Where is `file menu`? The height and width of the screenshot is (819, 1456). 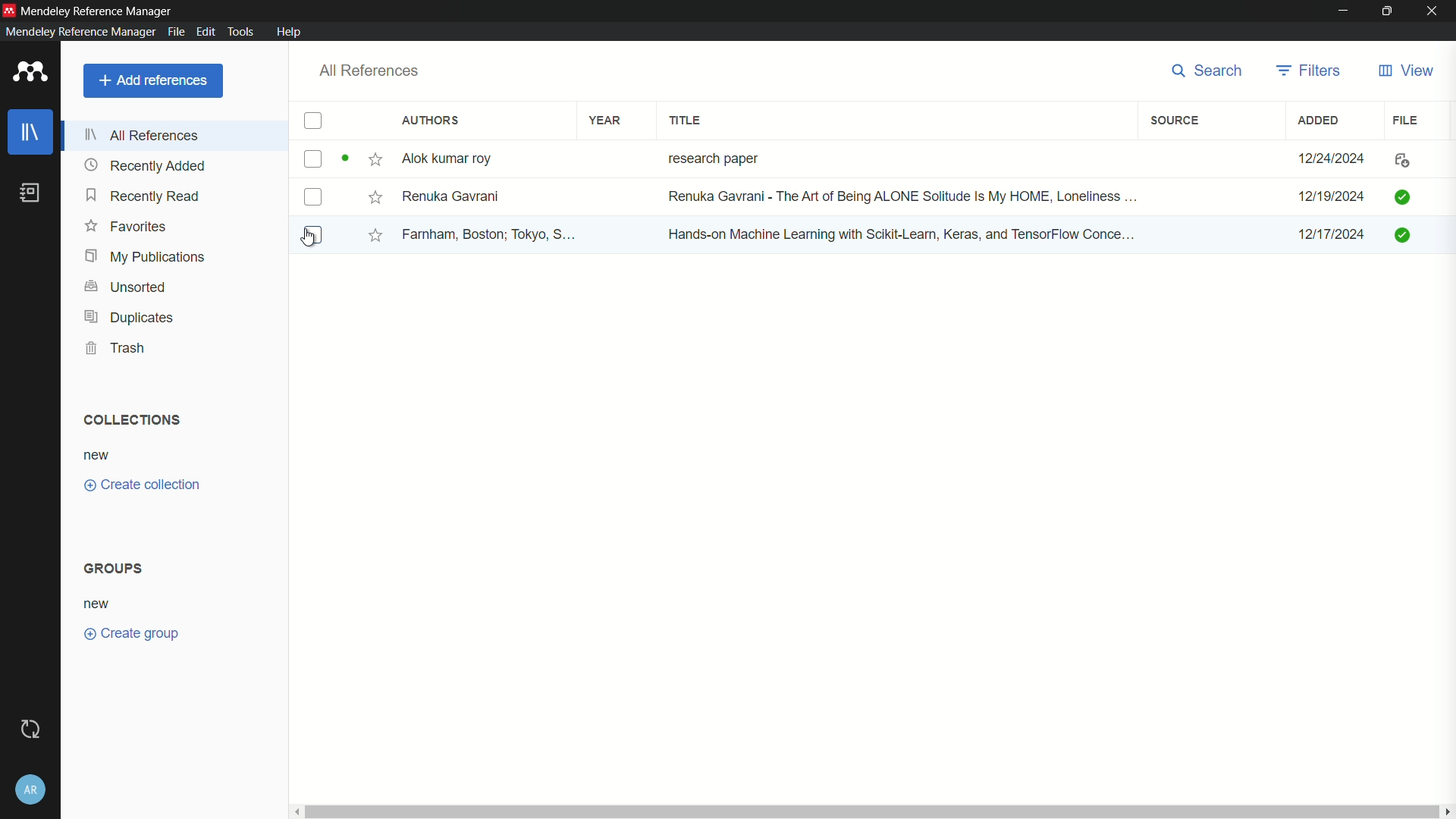
file menu is located at coordinates (177, 33).